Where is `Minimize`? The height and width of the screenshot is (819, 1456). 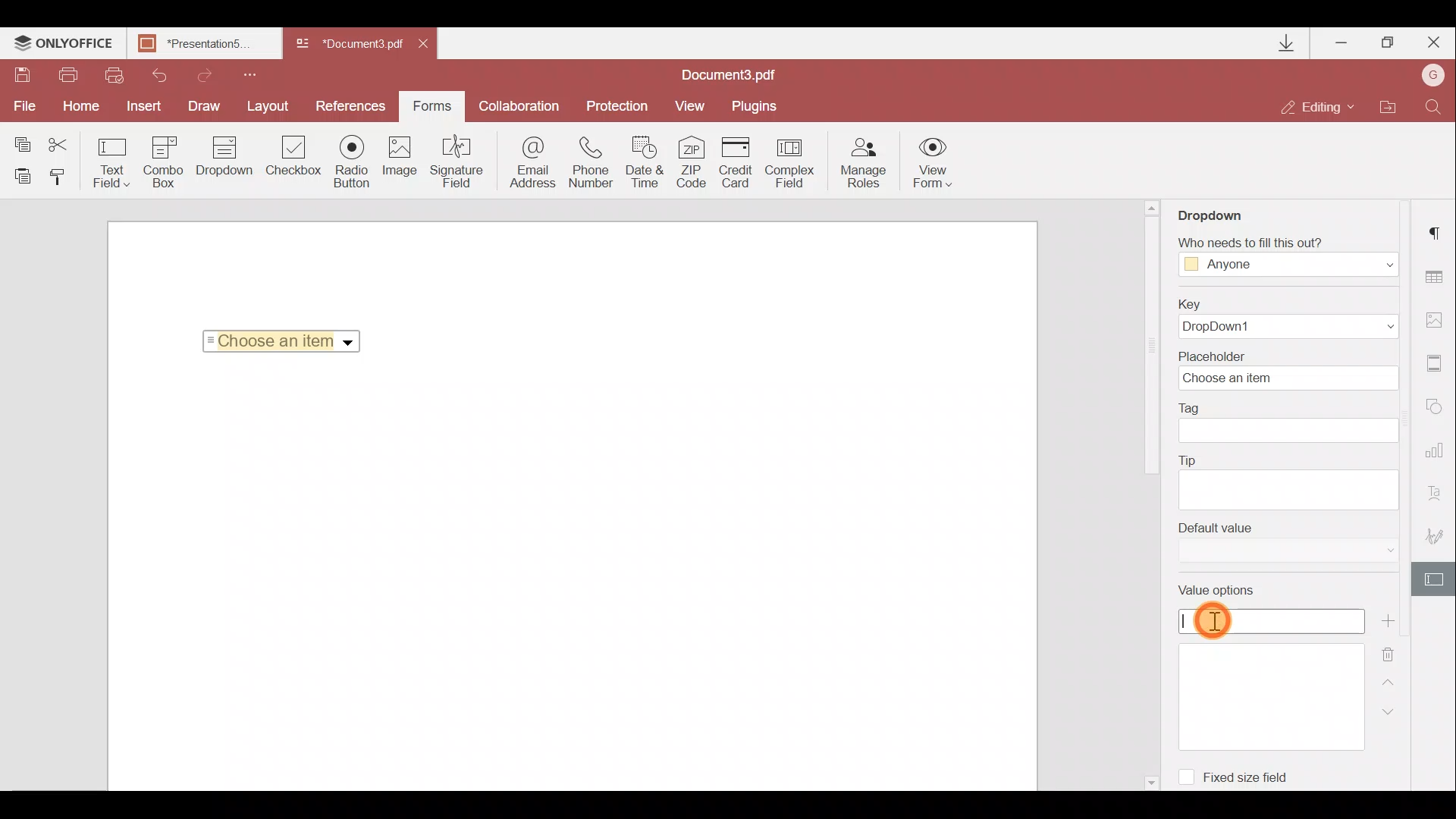 Minimize is located at coordinates (1343, 39).